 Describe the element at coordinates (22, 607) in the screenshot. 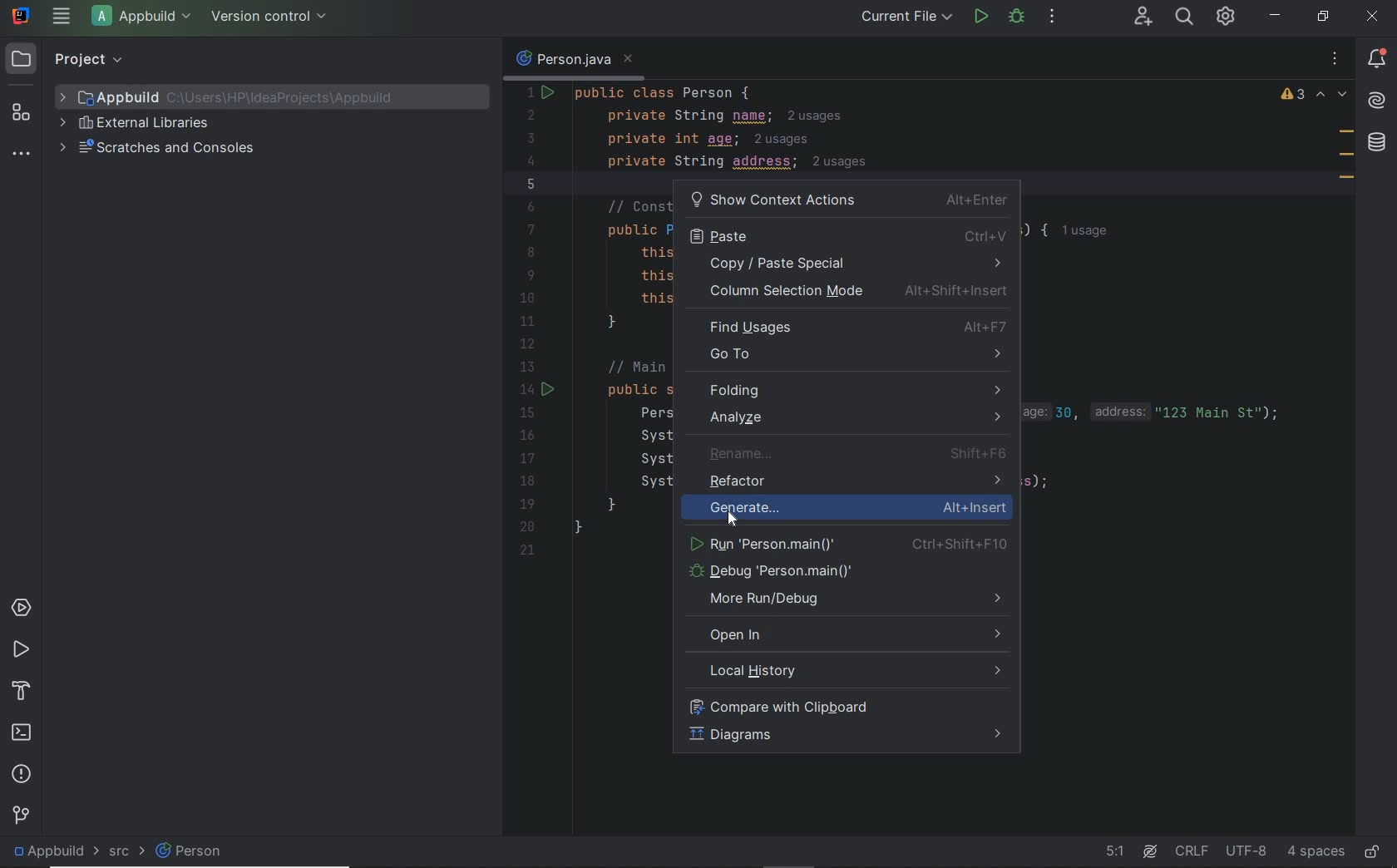

I see `services` at that location.